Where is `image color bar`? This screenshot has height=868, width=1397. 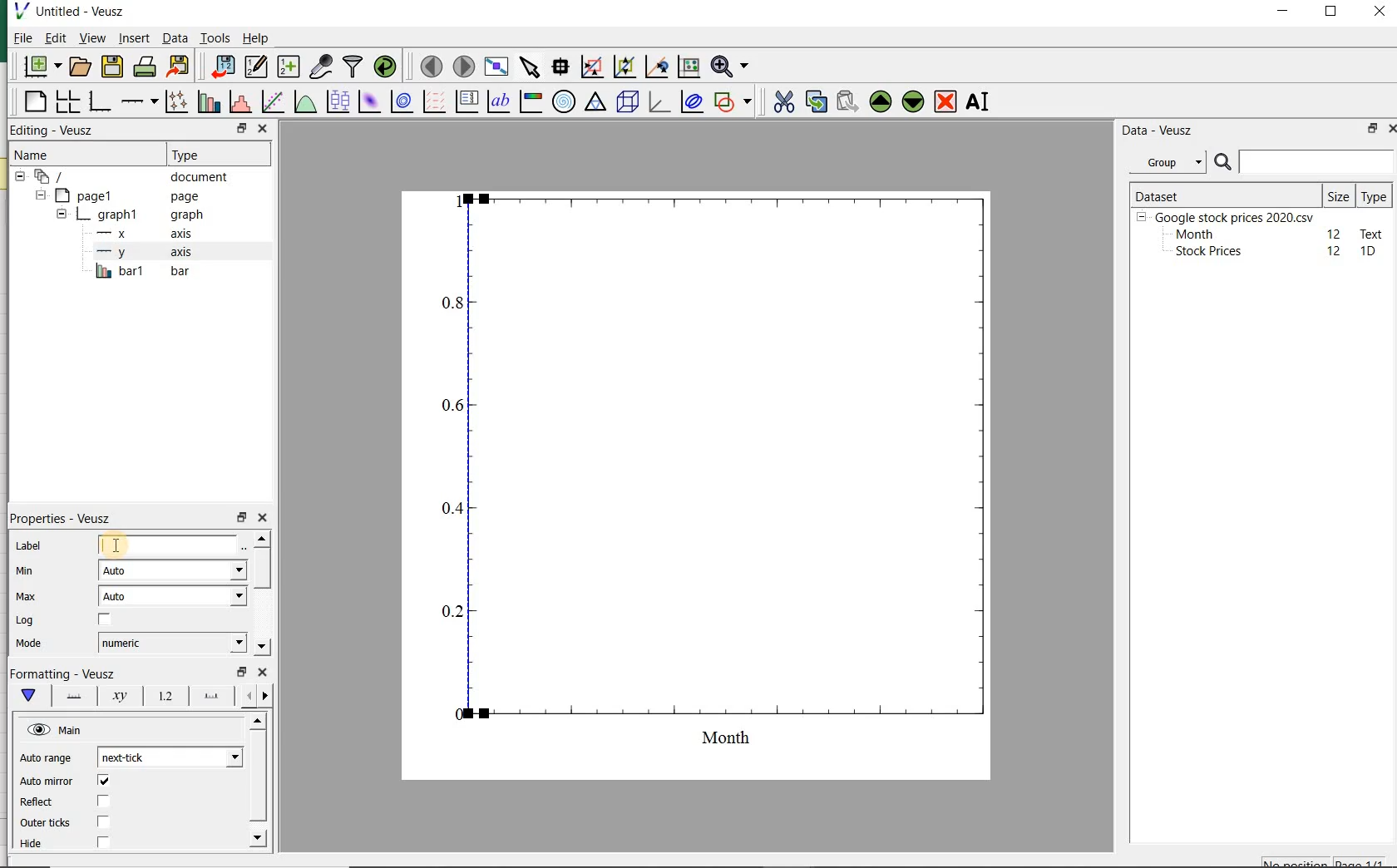 image color bar is located at coordinates (529, 101).